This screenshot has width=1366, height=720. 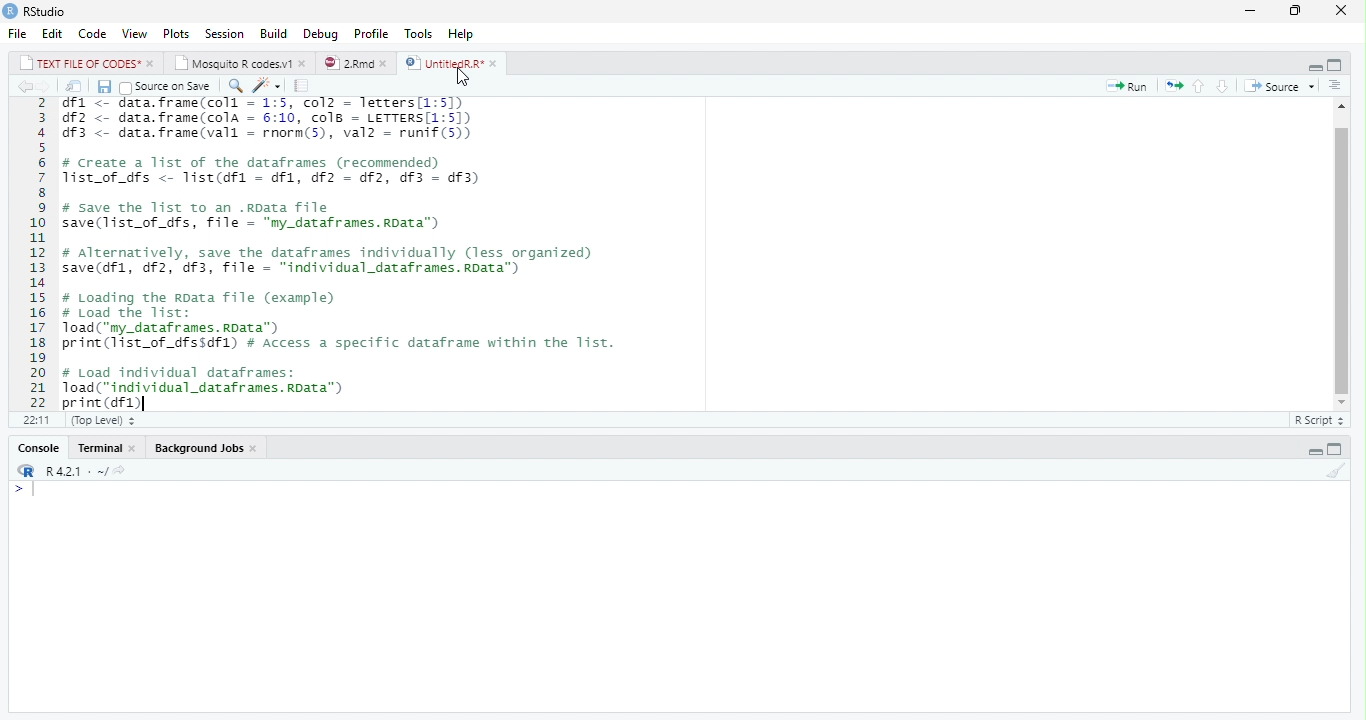 What do you see at coordinates (355, 253) in the screenshot?
I see `dfl <- data.frame(coll = 1:5, col2 = Jetters[1:5])

4f2 <- data.frame(cola = 6:10, cols = LETTERS[1:5])

d4f3 <- data.frame(vall = rnorn(s), val2 = runif(5))

# create a 1ist of the dataframes (recommended)

list_of_dfs <- 1ist(dfl = dfi, df2 = df2, df3 = df3)

# save the list to an .Roata file

save(list_of dfs, file = "my_dataframes.rData")

# Alternatively, save the datafranes individually (less organized)
save(df1, df2, df3, file = "individual_dataframes.RData")

# Loading the roata file (example)

# Load the list:

Toad("my_dataframes. roata")

print(115t_of_dfssdf1) # Access a specific dataframe within the list.
# Load individual dataframes:

Toad("individual_datafranes. Roata")

print(df1)|` at bounding box center [355, 253].